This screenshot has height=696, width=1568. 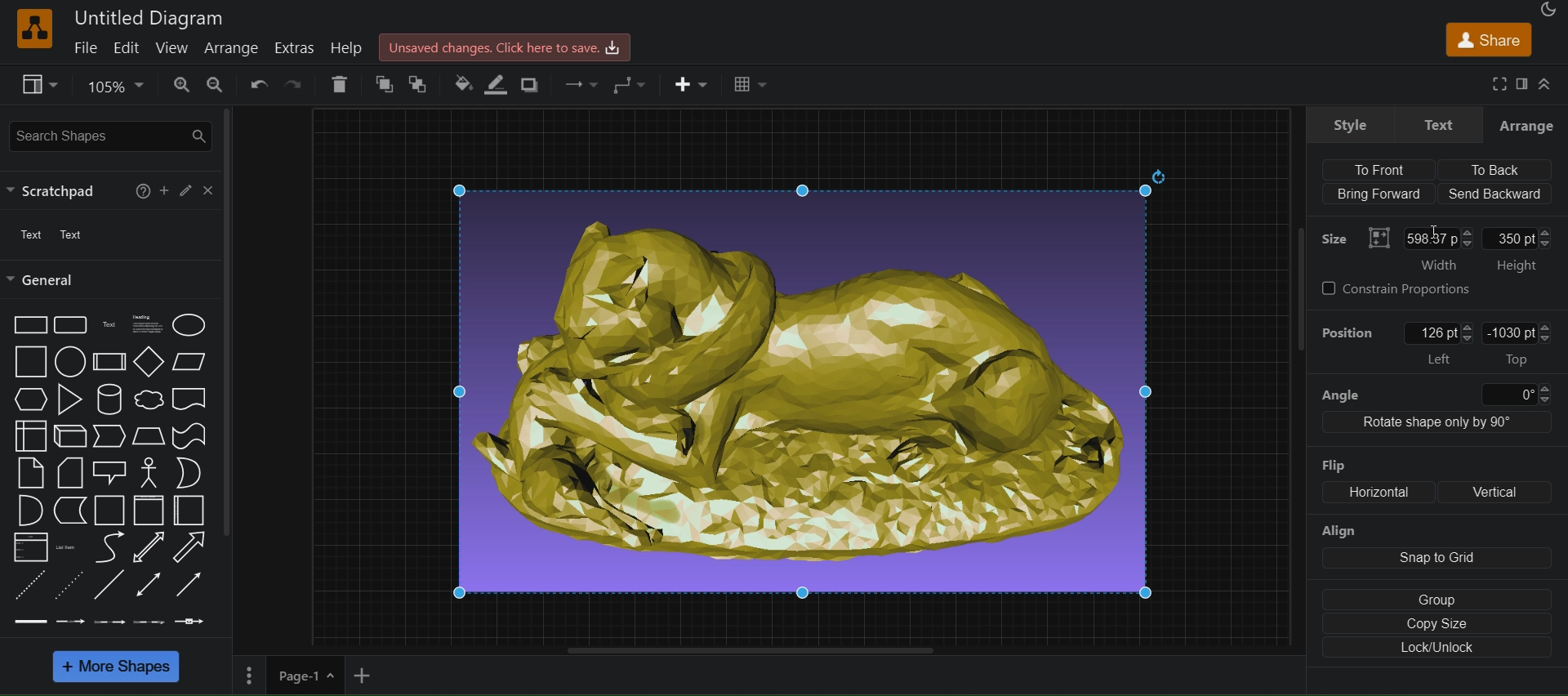 What do you see at coordinates (1546, 83) in the screenshot?
I see `collapase/expand` at bounding box center [1546, 83].